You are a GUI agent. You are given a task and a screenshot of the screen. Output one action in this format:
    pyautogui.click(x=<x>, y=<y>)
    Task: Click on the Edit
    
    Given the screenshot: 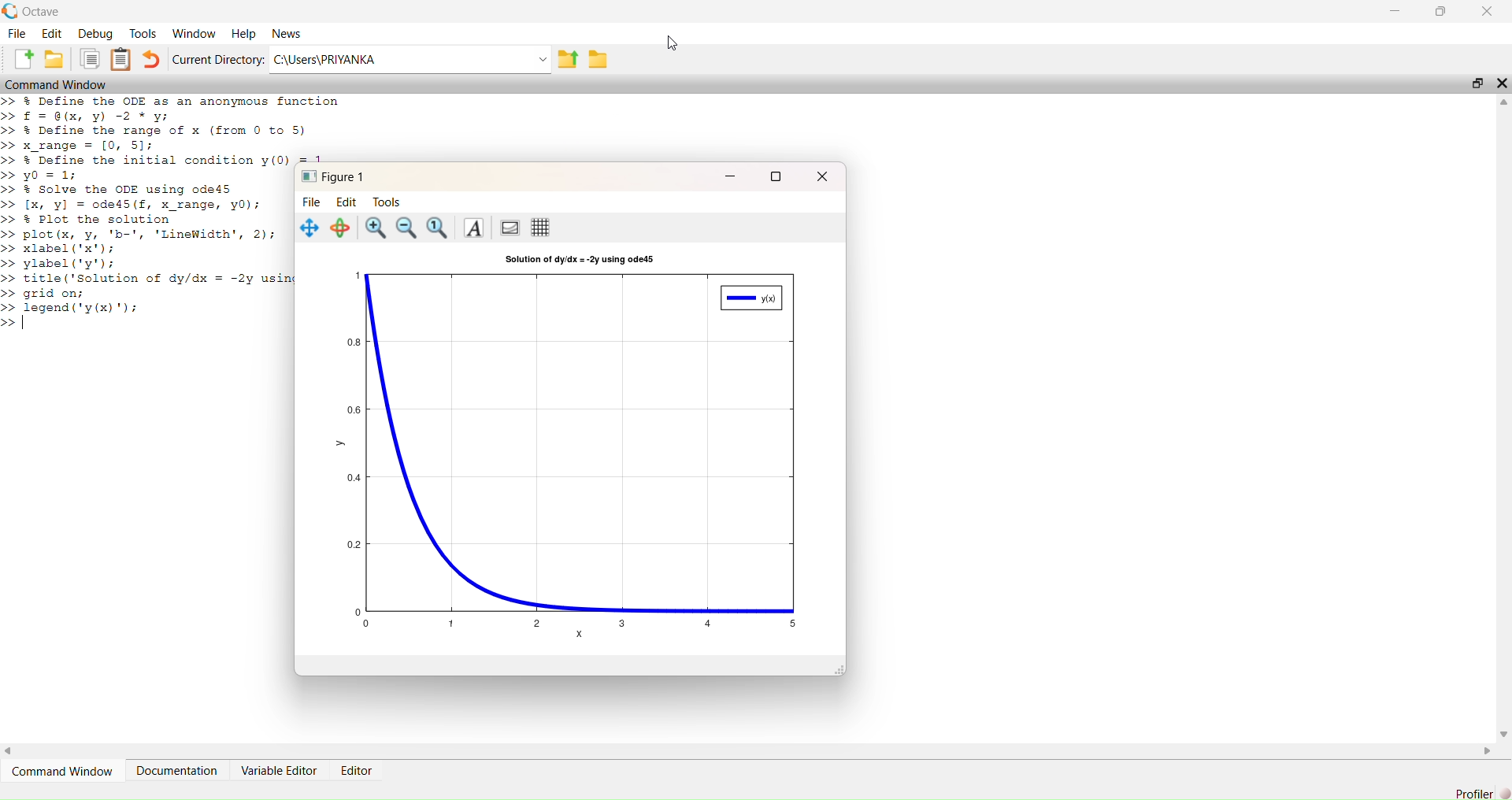 What is the action you would take?
    pyautogui.click(x=52, y=33)
    